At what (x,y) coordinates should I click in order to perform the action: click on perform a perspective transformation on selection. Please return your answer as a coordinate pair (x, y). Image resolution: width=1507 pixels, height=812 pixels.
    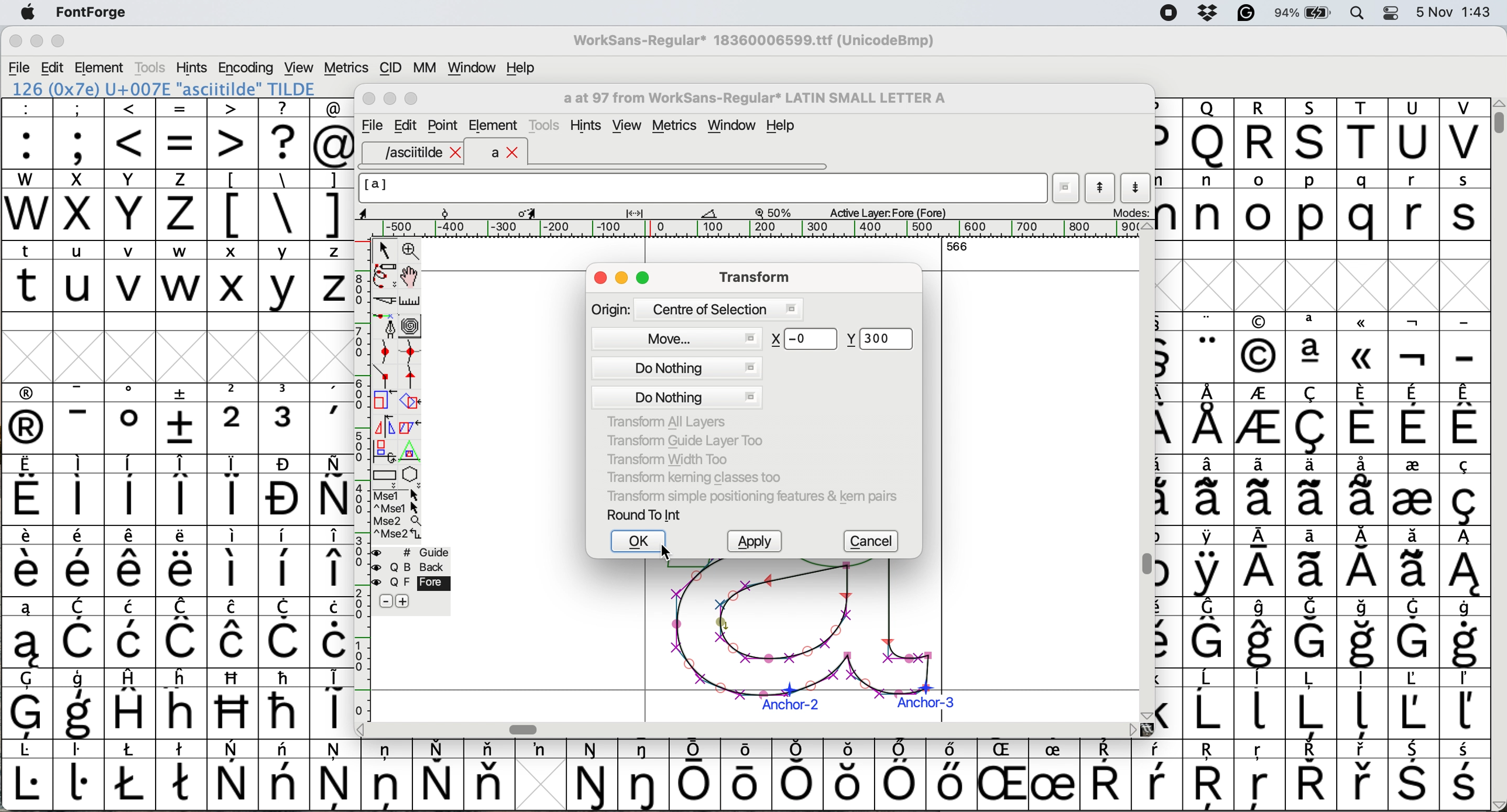
    Looking at the image, I should click on (410, 452).